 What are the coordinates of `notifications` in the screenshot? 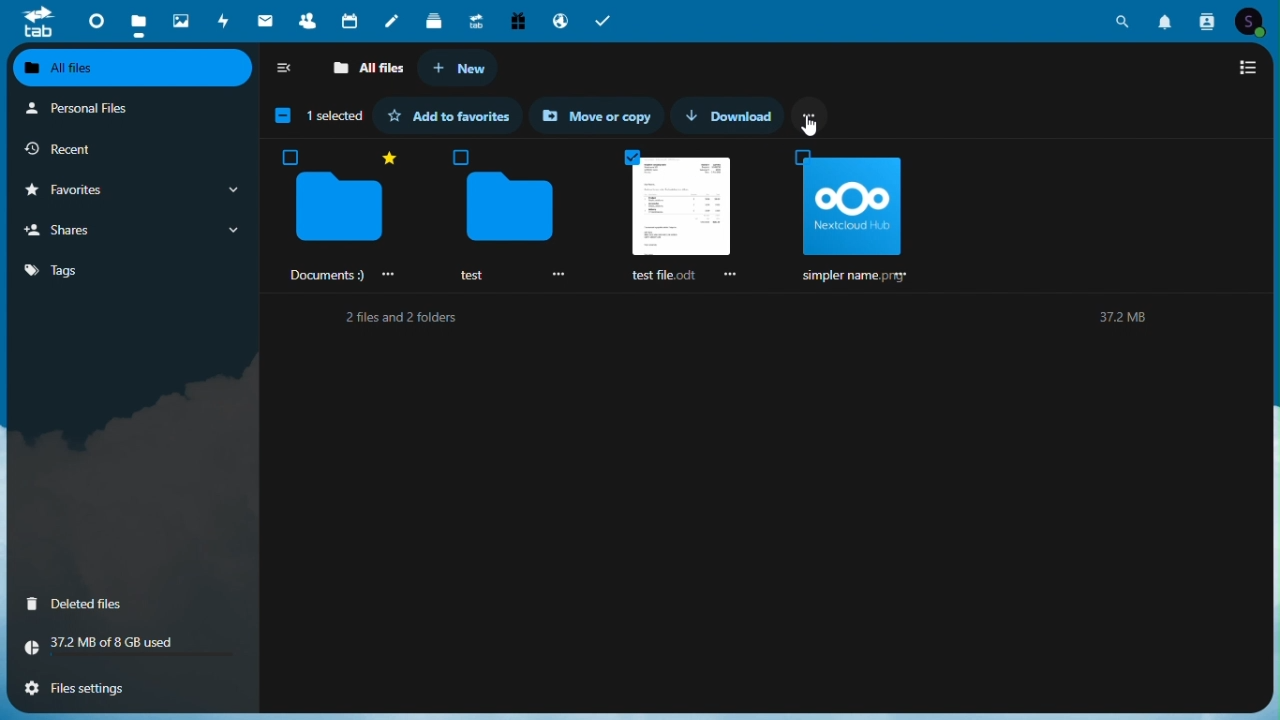 It's located at (1169, 19).